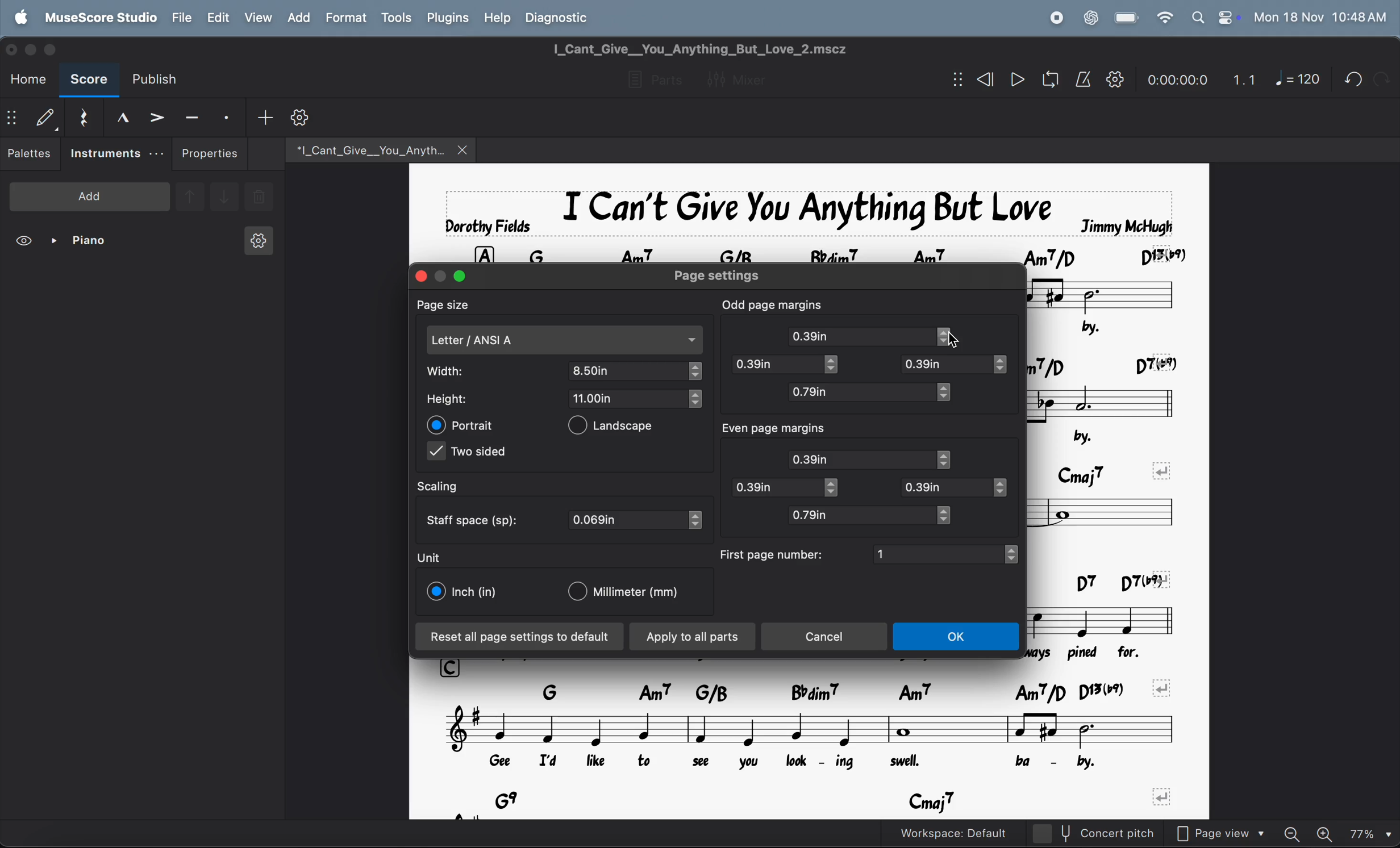 The image size is (1400, 848). I want to click on close, so click(14, 48).